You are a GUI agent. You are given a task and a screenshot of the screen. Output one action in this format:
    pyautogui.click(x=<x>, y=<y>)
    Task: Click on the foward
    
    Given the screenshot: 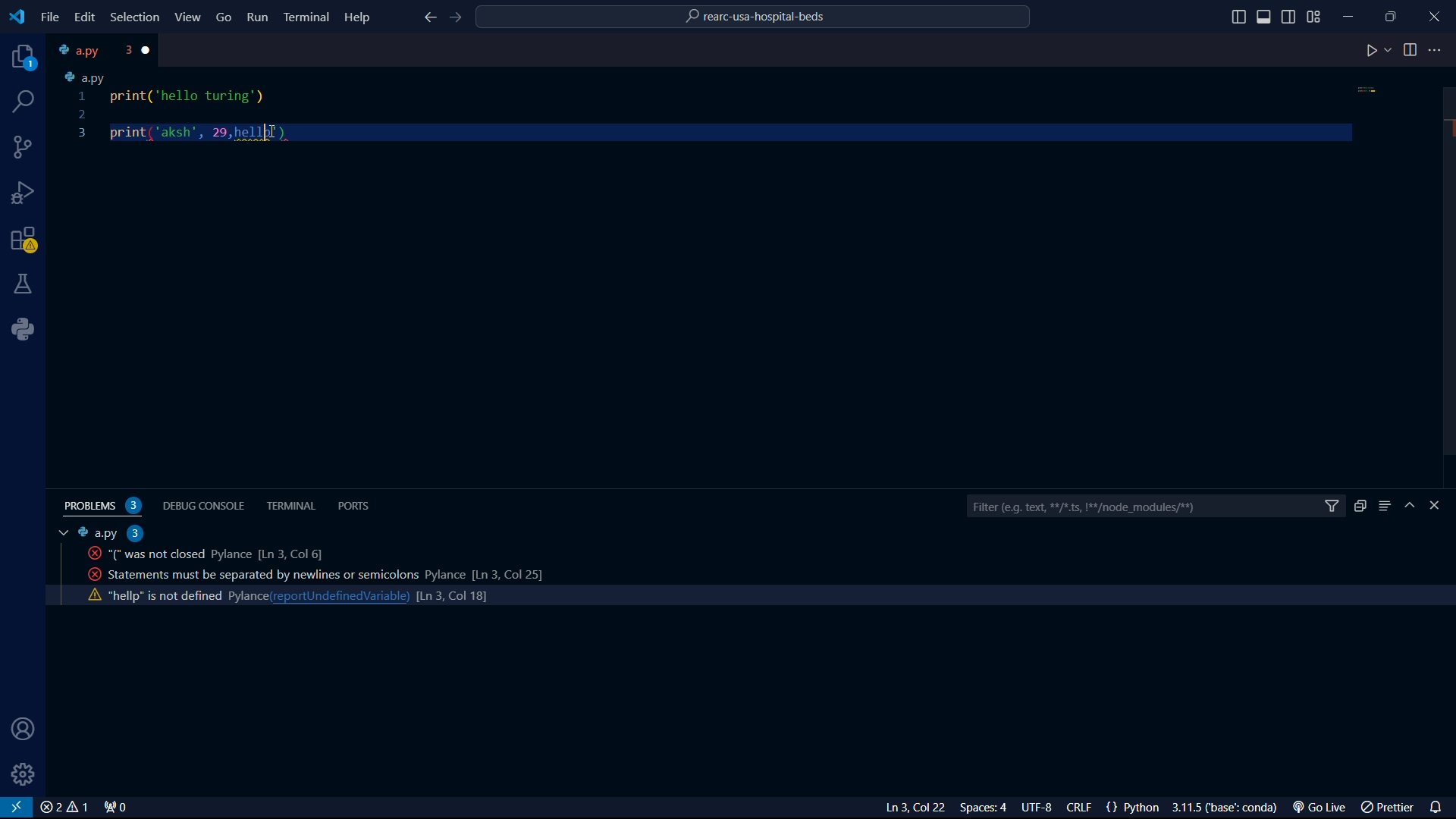 What is the action you would take?
    pyautogui.click(x=459, y=18)
    